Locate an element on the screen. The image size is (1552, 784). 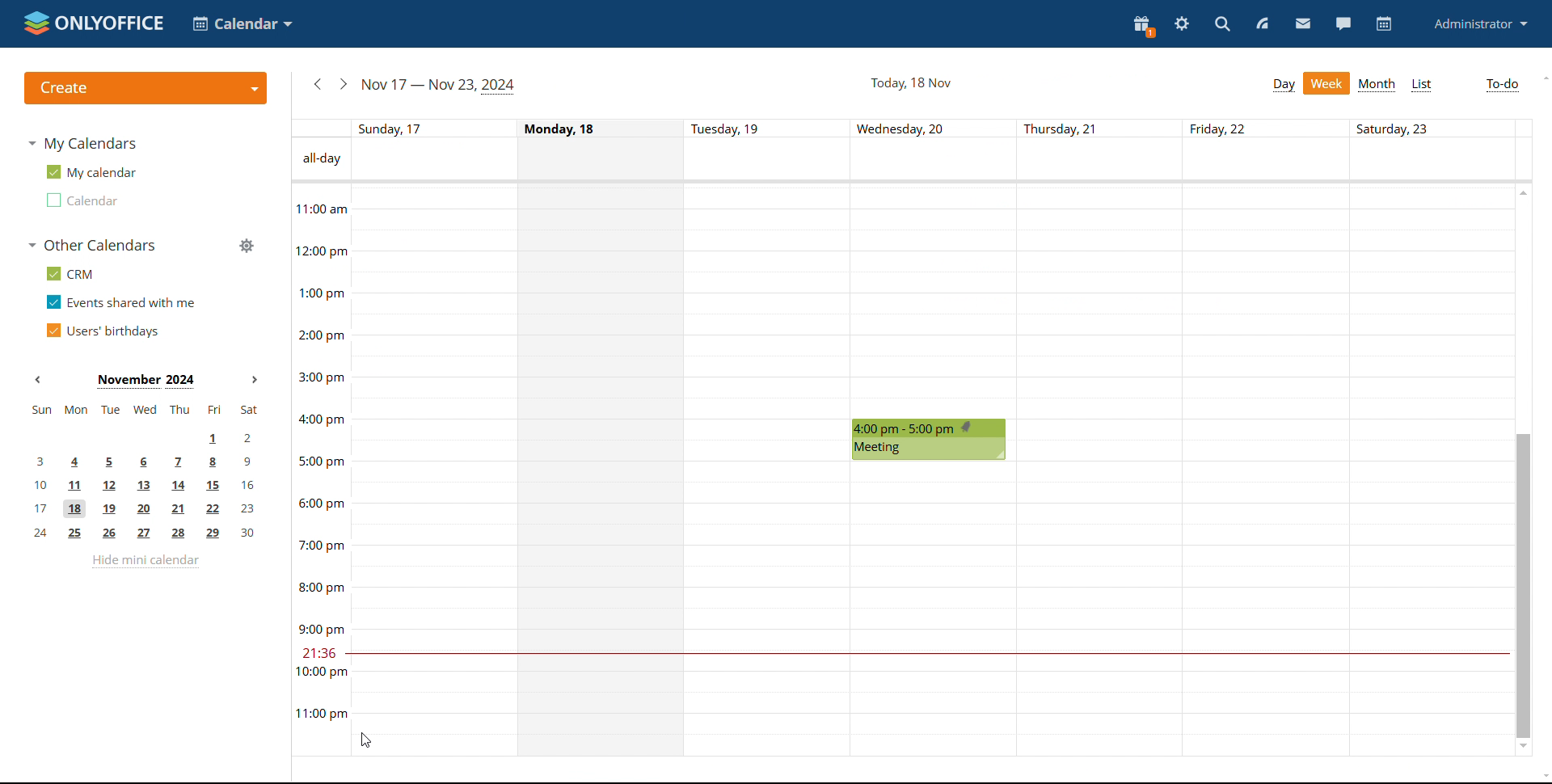
next week is located at coordinates (344, 83).